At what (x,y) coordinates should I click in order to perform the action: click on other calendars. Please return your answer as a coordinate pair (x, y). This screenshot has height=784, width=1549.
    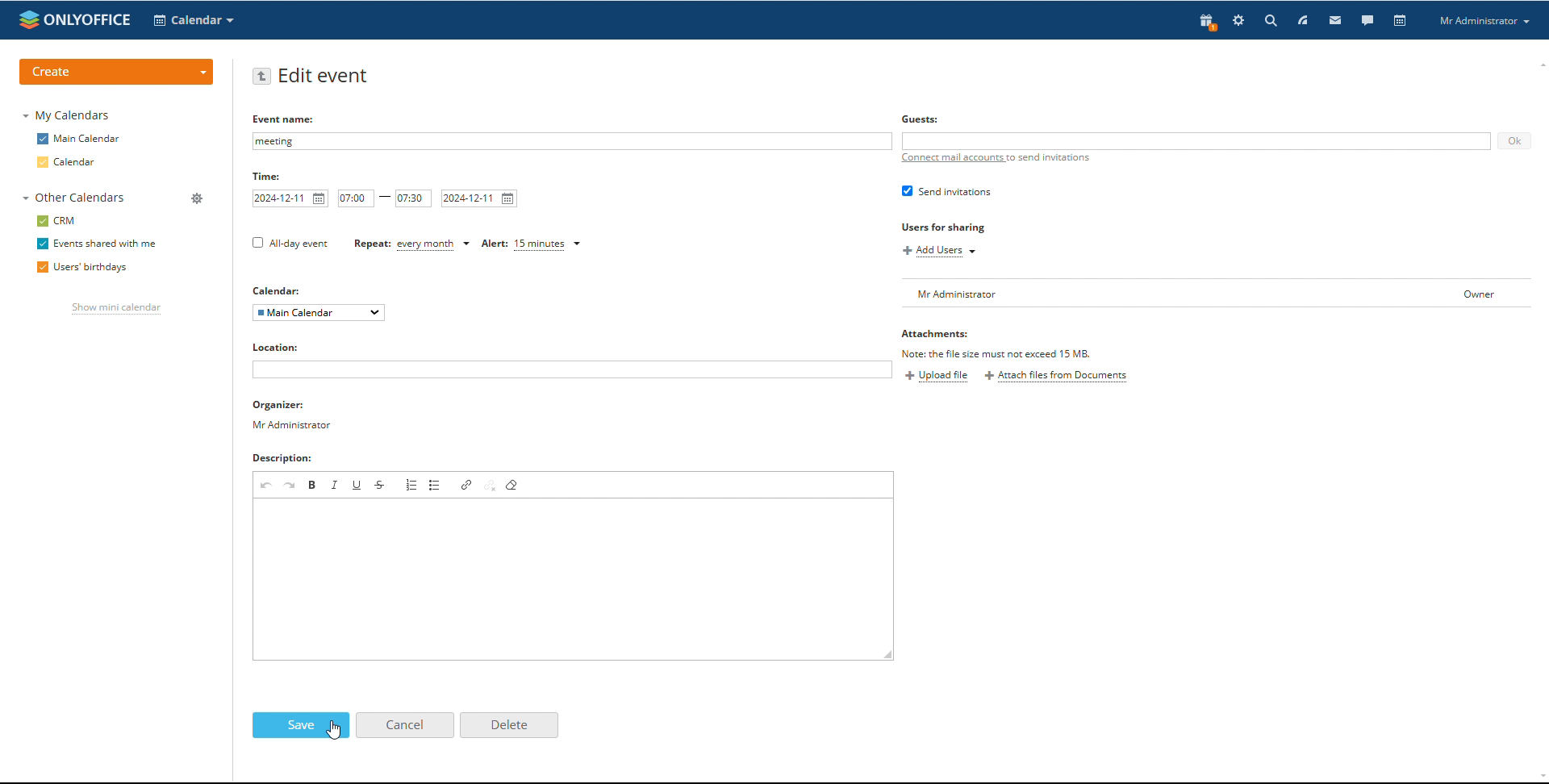
    Looking at the image, I should click on (74, 198).